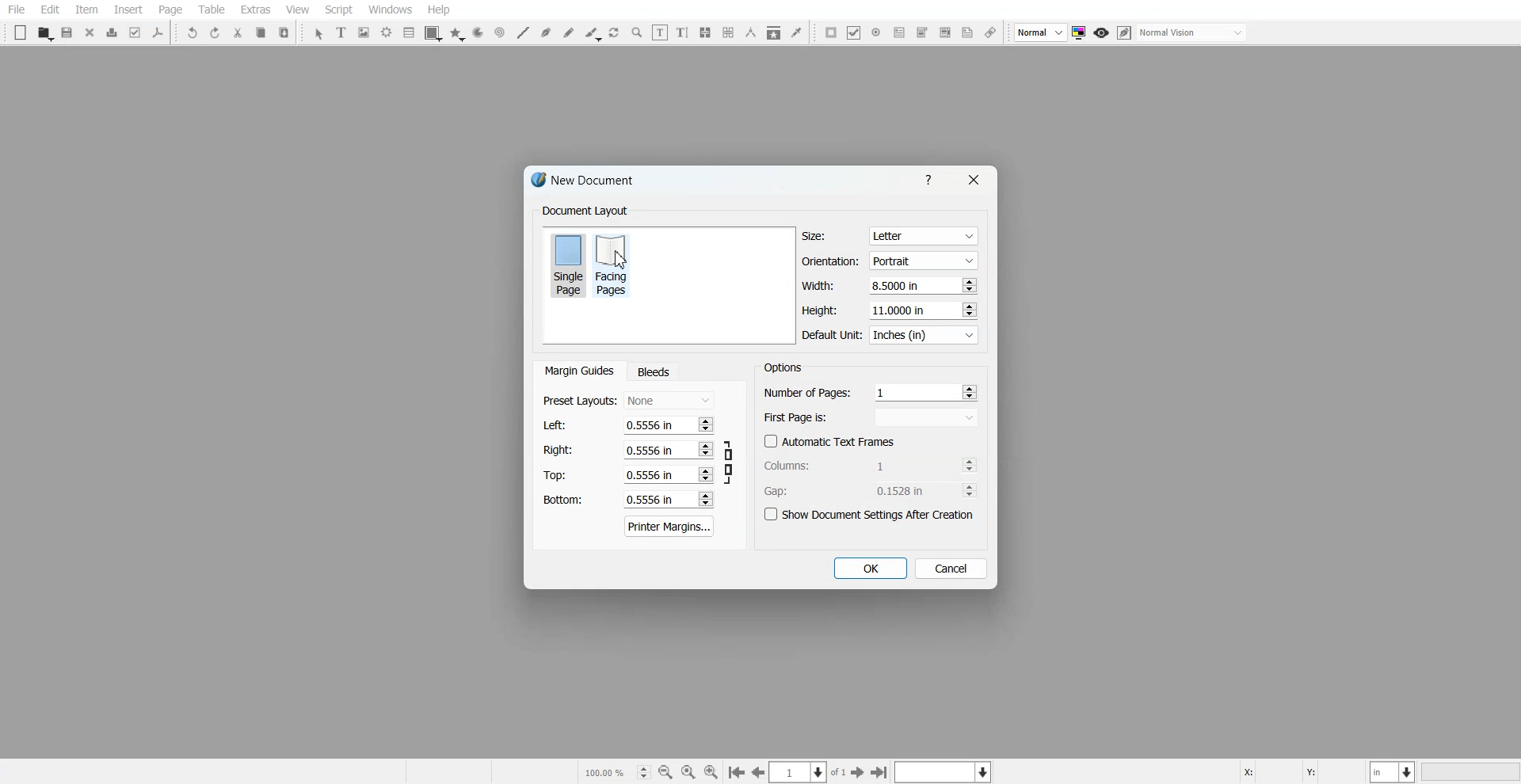  What do you see at coordinates (49, 10) in the screenshot?
I see `Edit` at bounding box center [49, 10].